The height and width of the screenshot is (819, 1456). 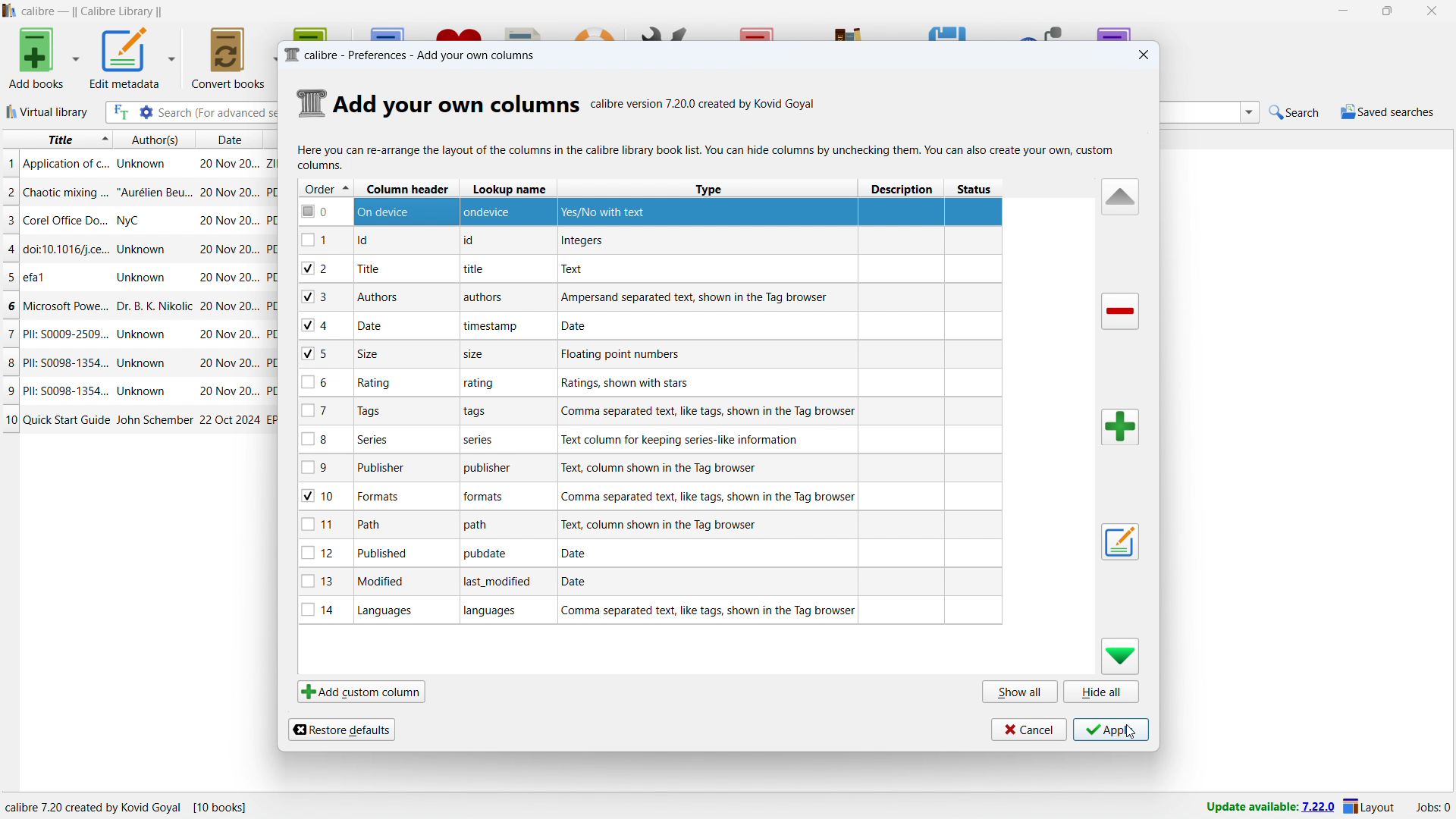 I want to click on sort by title, so click(x=58, y=140).